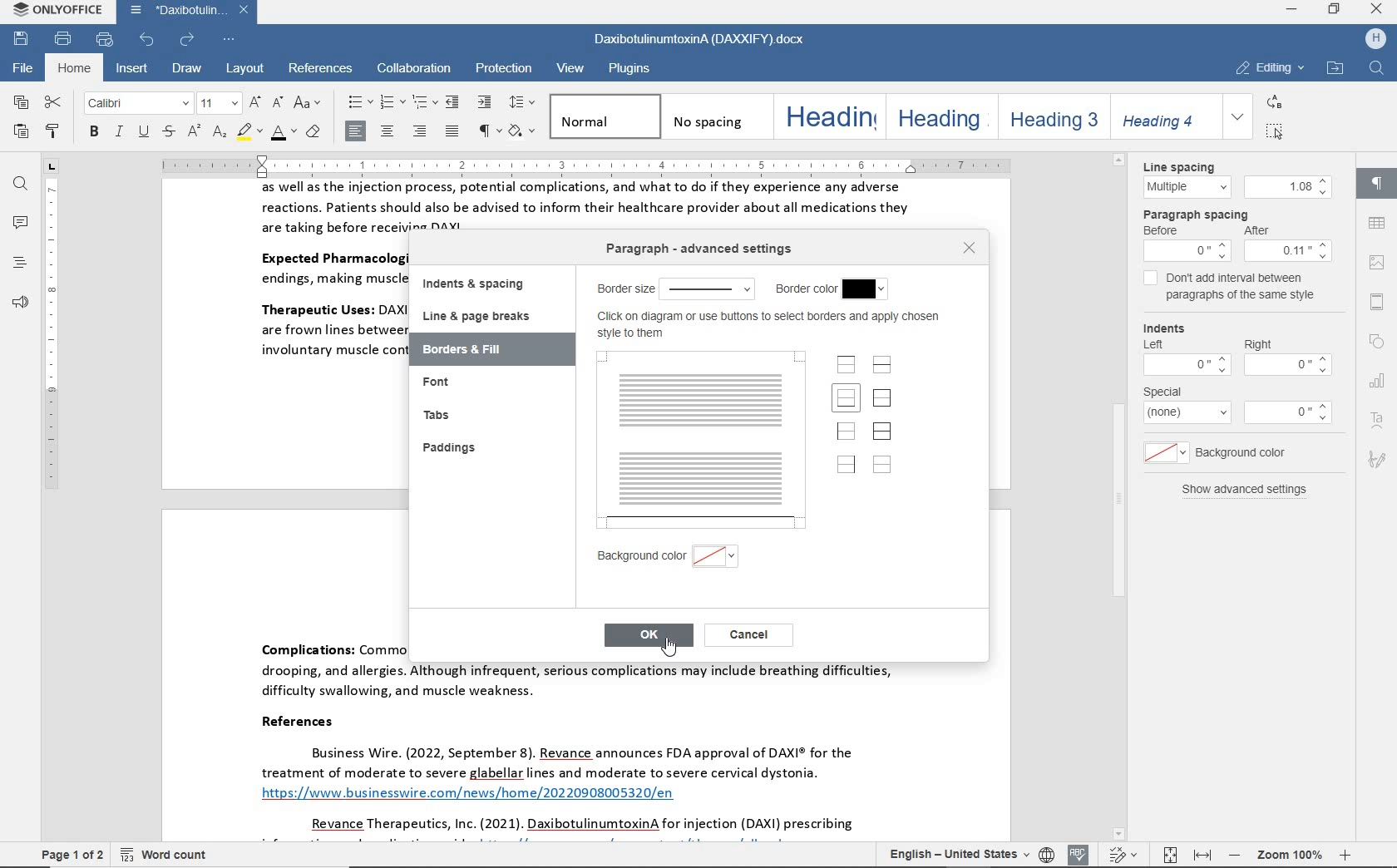 This screenshot has height=868, width=1397. Describe the element at coordinates (1380, 343) in the screenshot. I see `shape` at that location.